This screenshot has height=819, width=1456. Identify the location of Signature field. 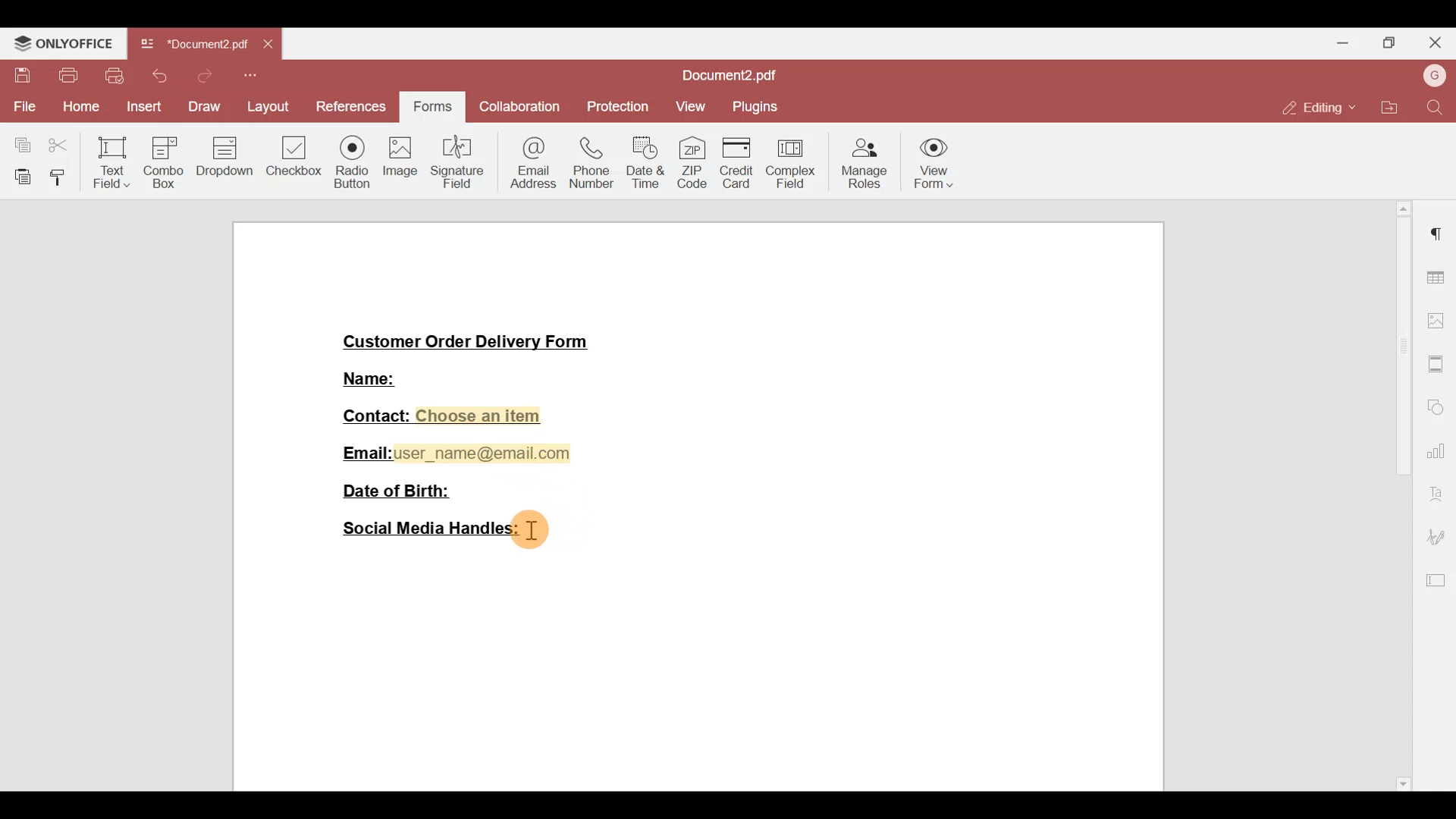
(453, 161).